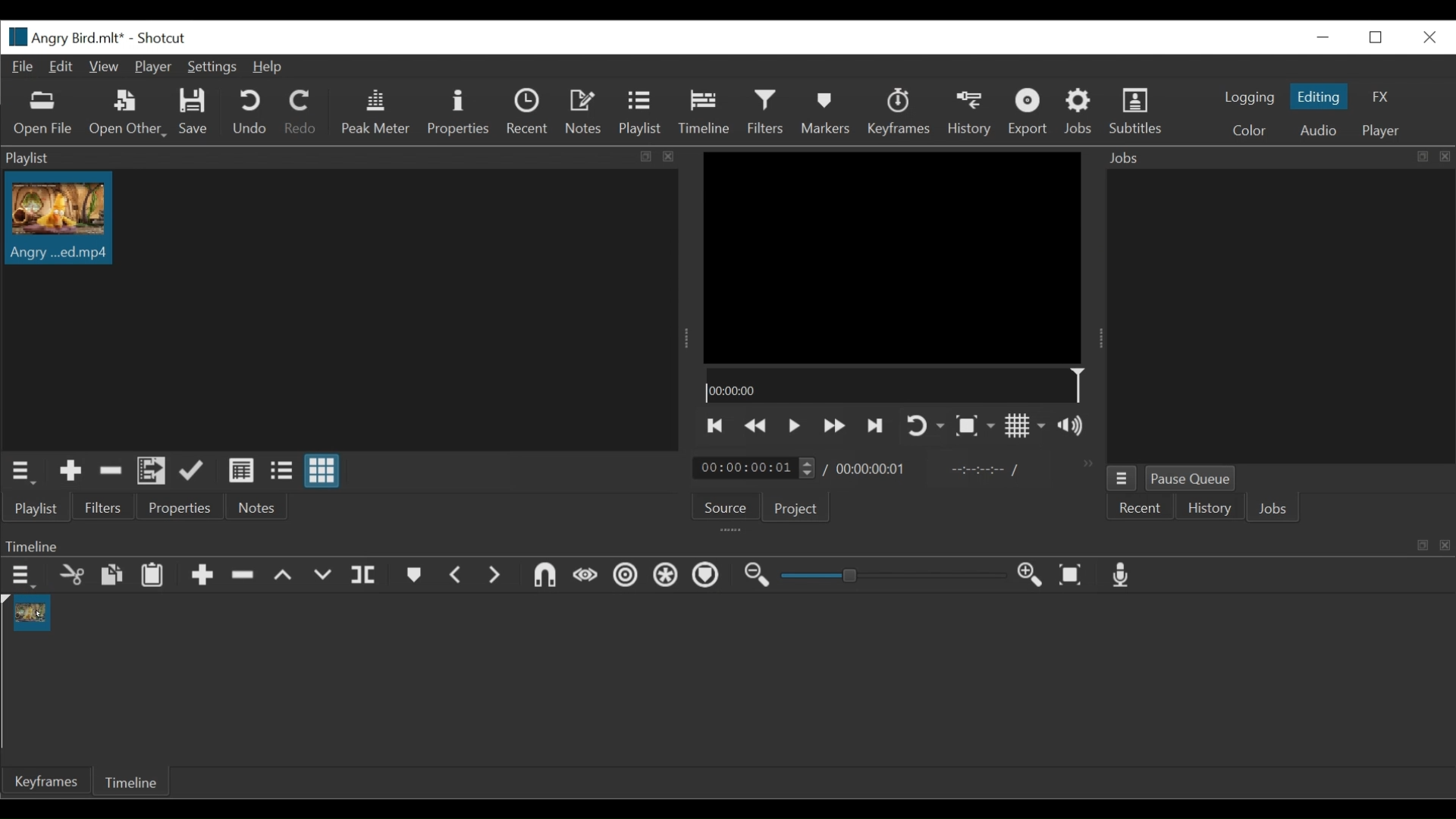 The height and width of the screenshot is (819, 1456). Describe the element at coordinates (61, 218) in the screenshot. I see `Clip` at that location.